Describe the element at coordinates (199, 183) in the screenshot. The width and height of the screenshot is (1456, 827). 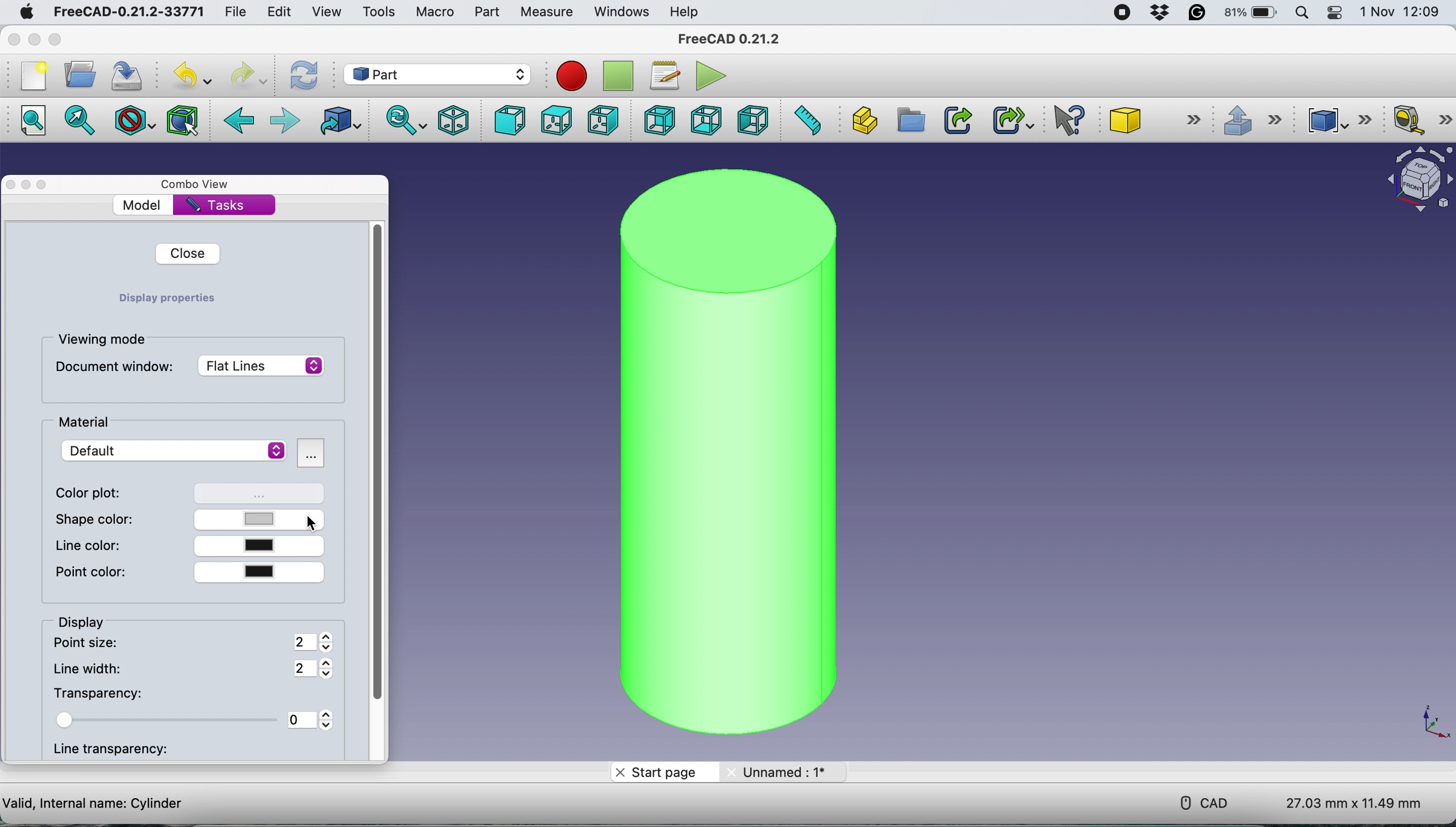
I see `combo view` at that location.